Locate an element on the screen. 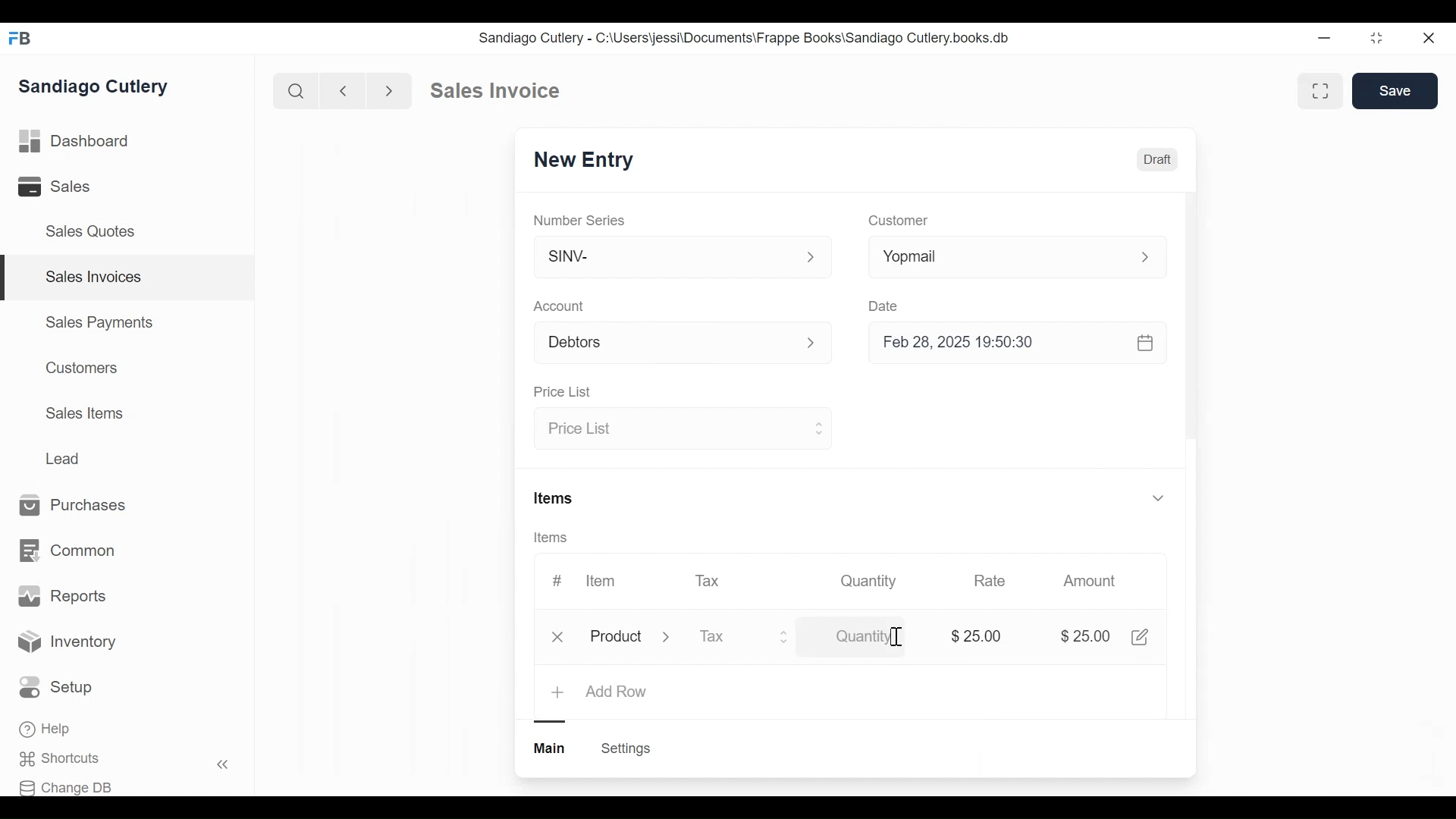 This screenshot has height=819, width=1456. product is located at coordinates (616, 639).